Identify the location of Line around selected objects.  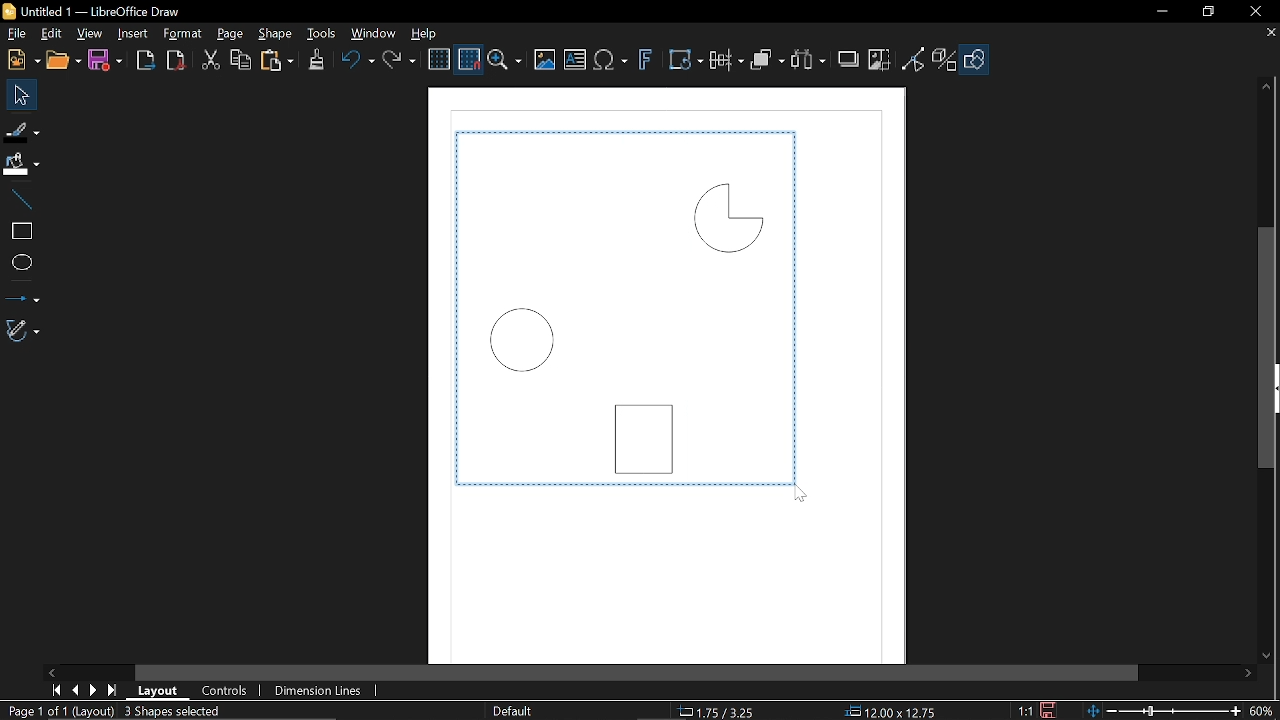
(623, 132).